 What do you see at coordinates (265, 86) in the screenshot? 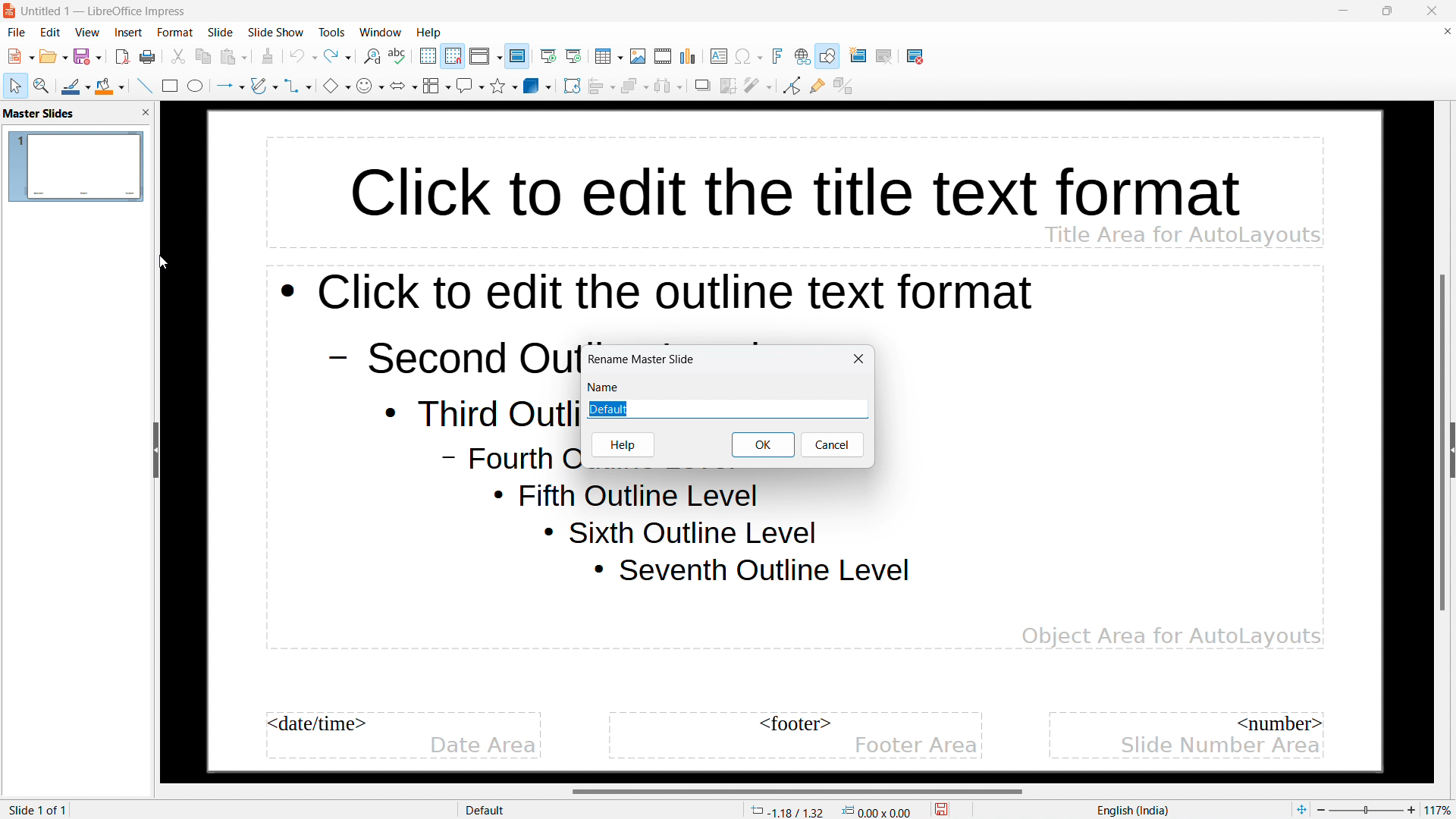
I see `curves and polygons` at bounding box center [265, 86].